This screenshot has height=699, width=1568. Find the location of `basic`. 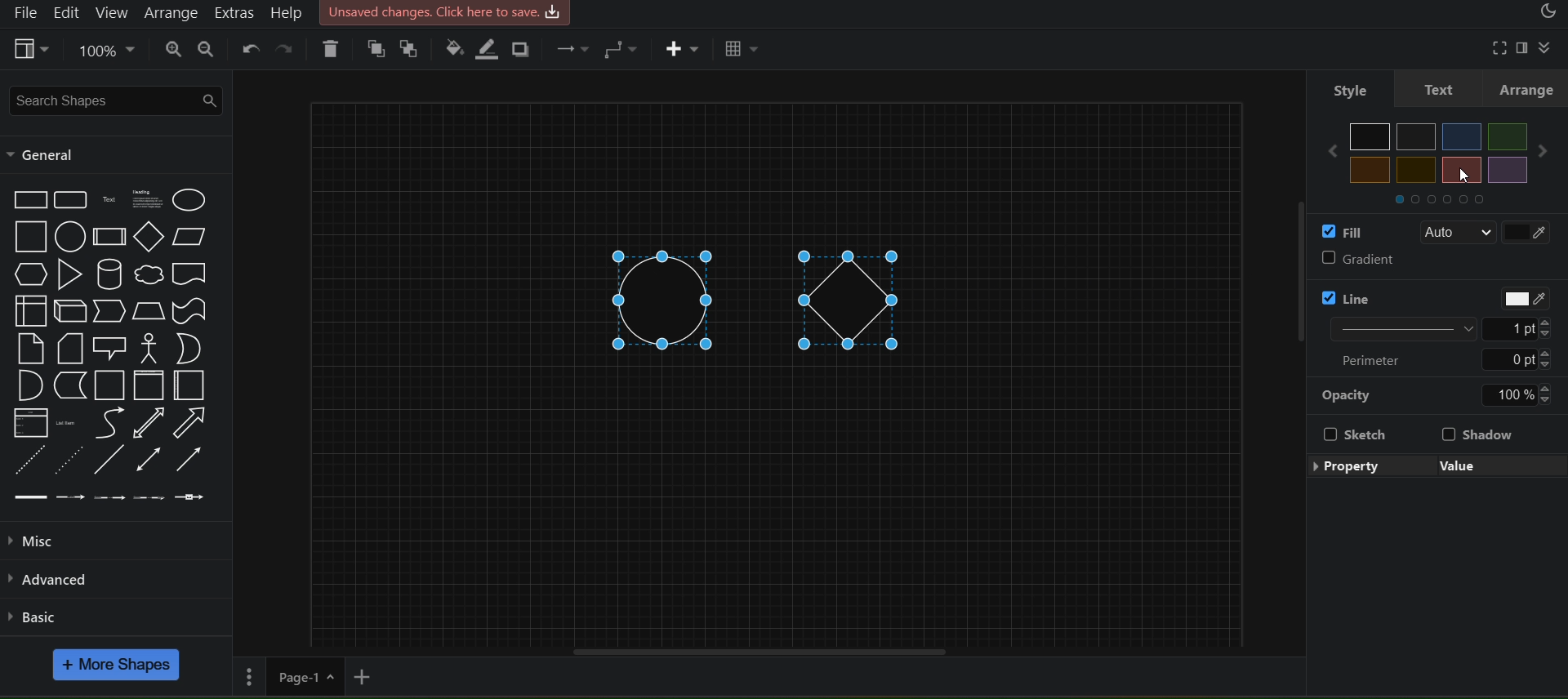

basic is located at coordinates (118, 621).